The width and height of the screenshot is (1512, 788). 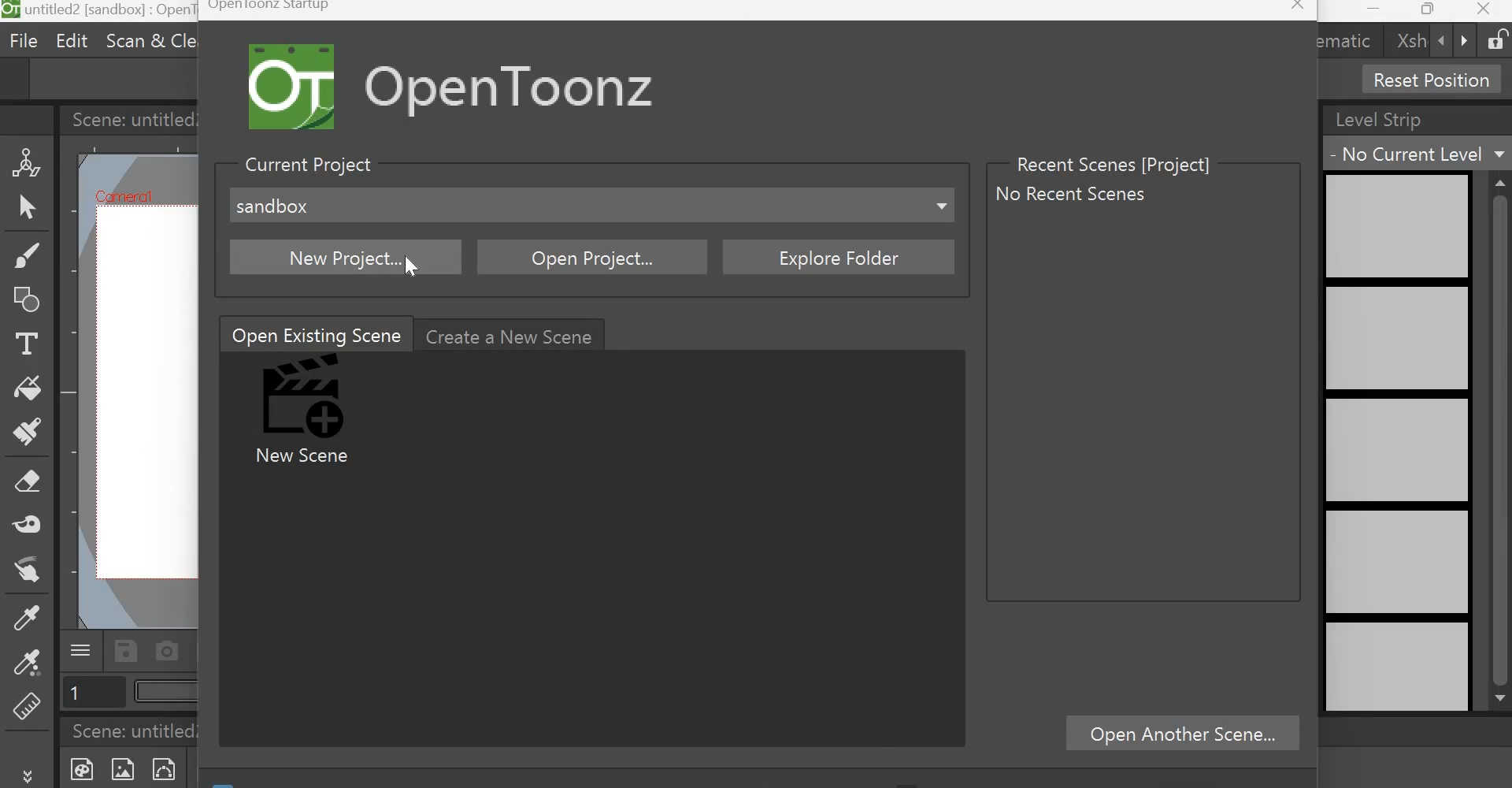 I want to click on Explore folder, so click(x=836, y=255).